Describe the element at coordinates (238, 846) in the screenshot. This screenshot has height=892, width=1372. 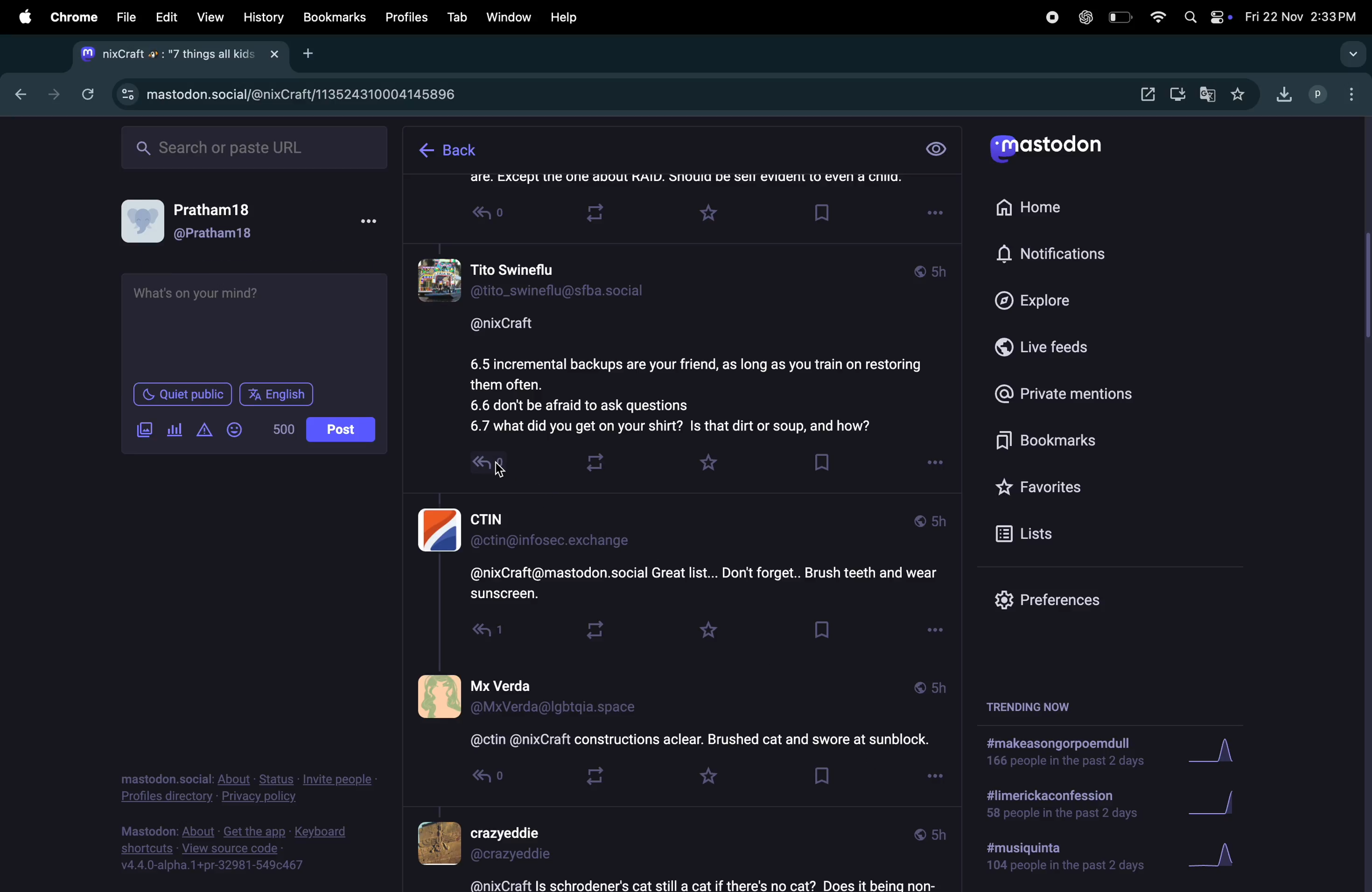
I see `Mastodon: About - Get the app - Keyboard
shortcuts - View source code -
v4.4.0-alpha.1+pr-32981-549¢c467` at that location.